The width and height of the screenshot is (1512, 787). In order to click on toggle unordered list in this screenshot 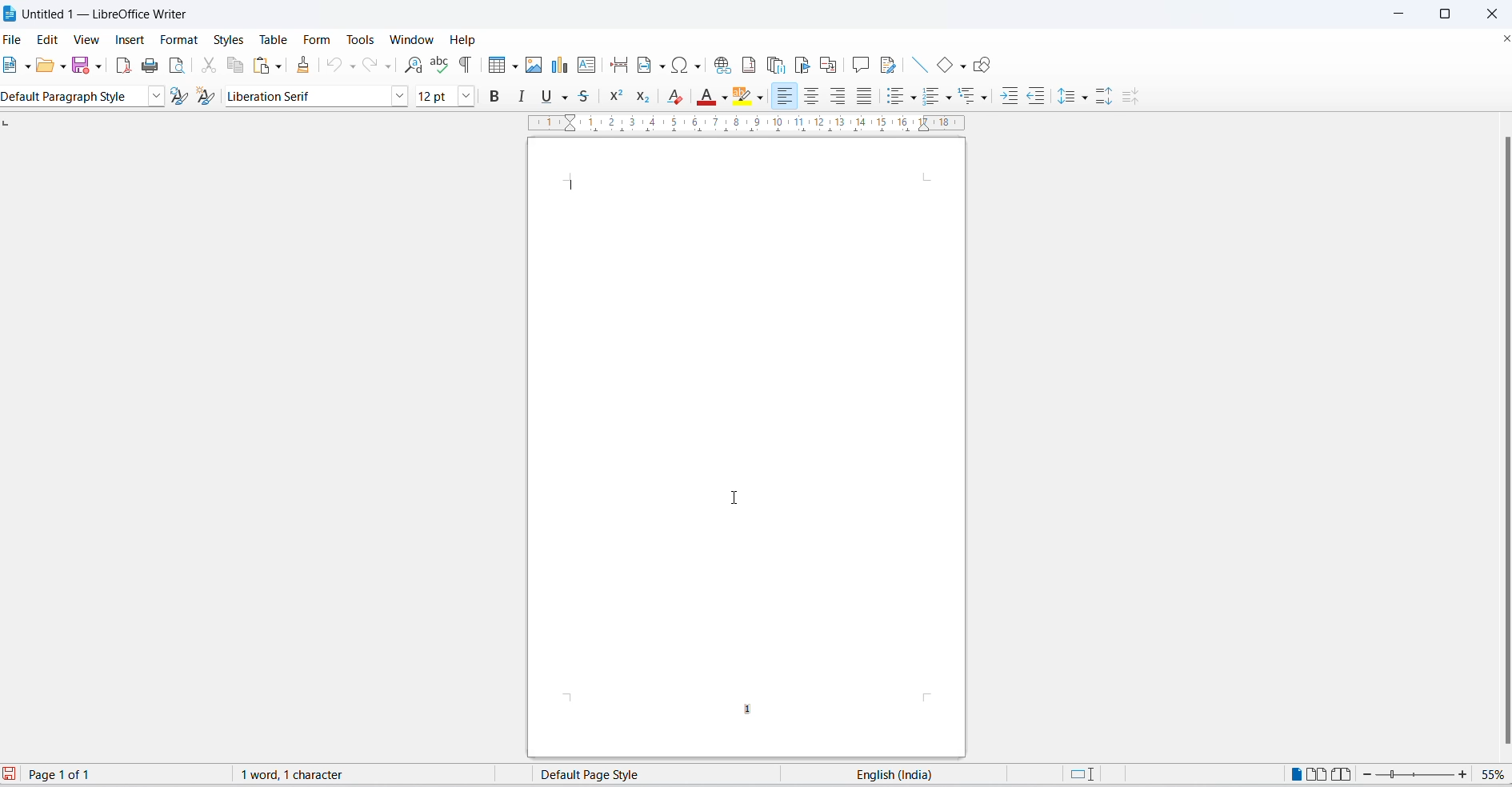, I will do `click(895, 98)`.